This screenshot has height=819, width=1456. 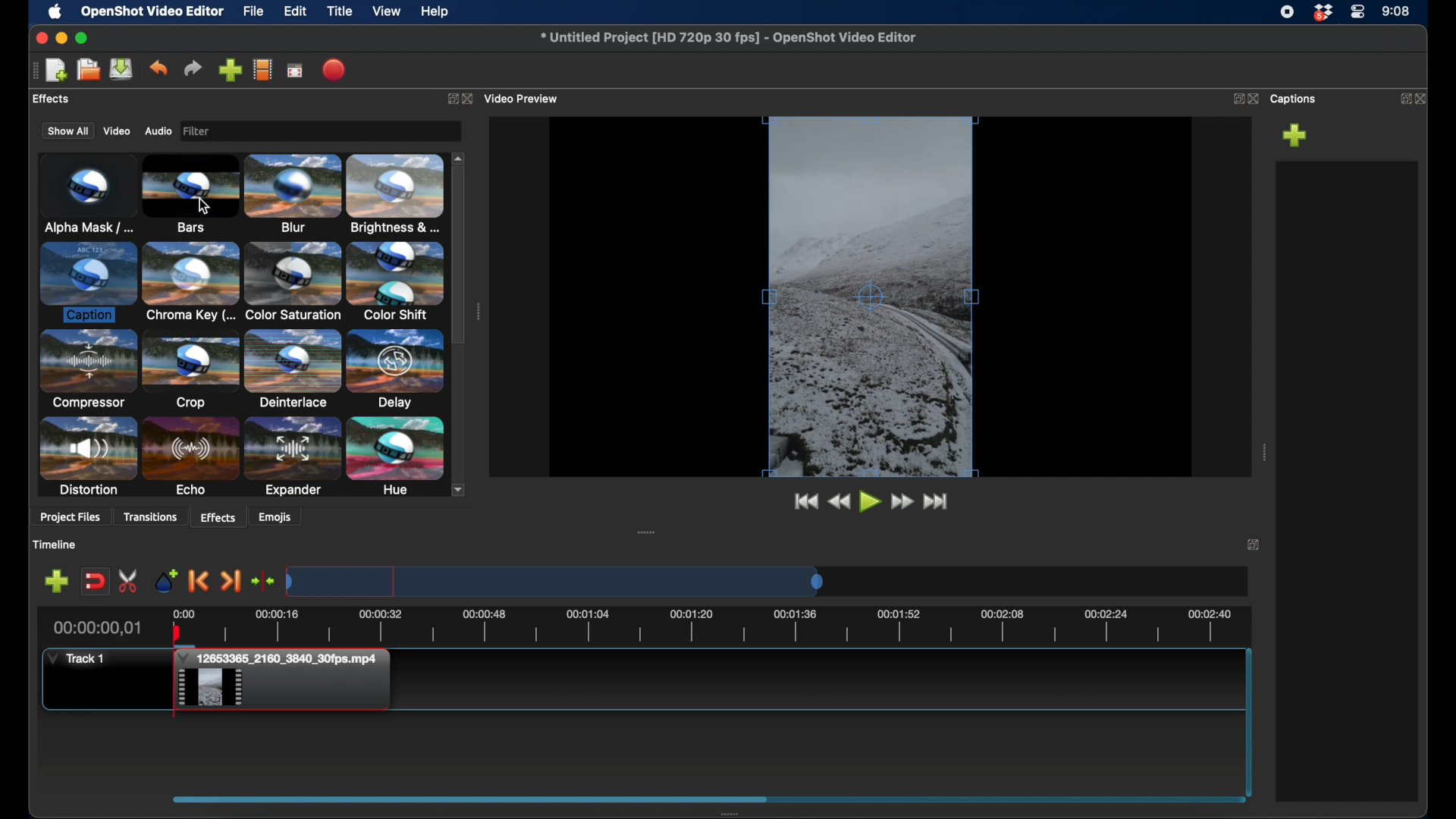 I want to click on rewind, so click(x=839, y=501).